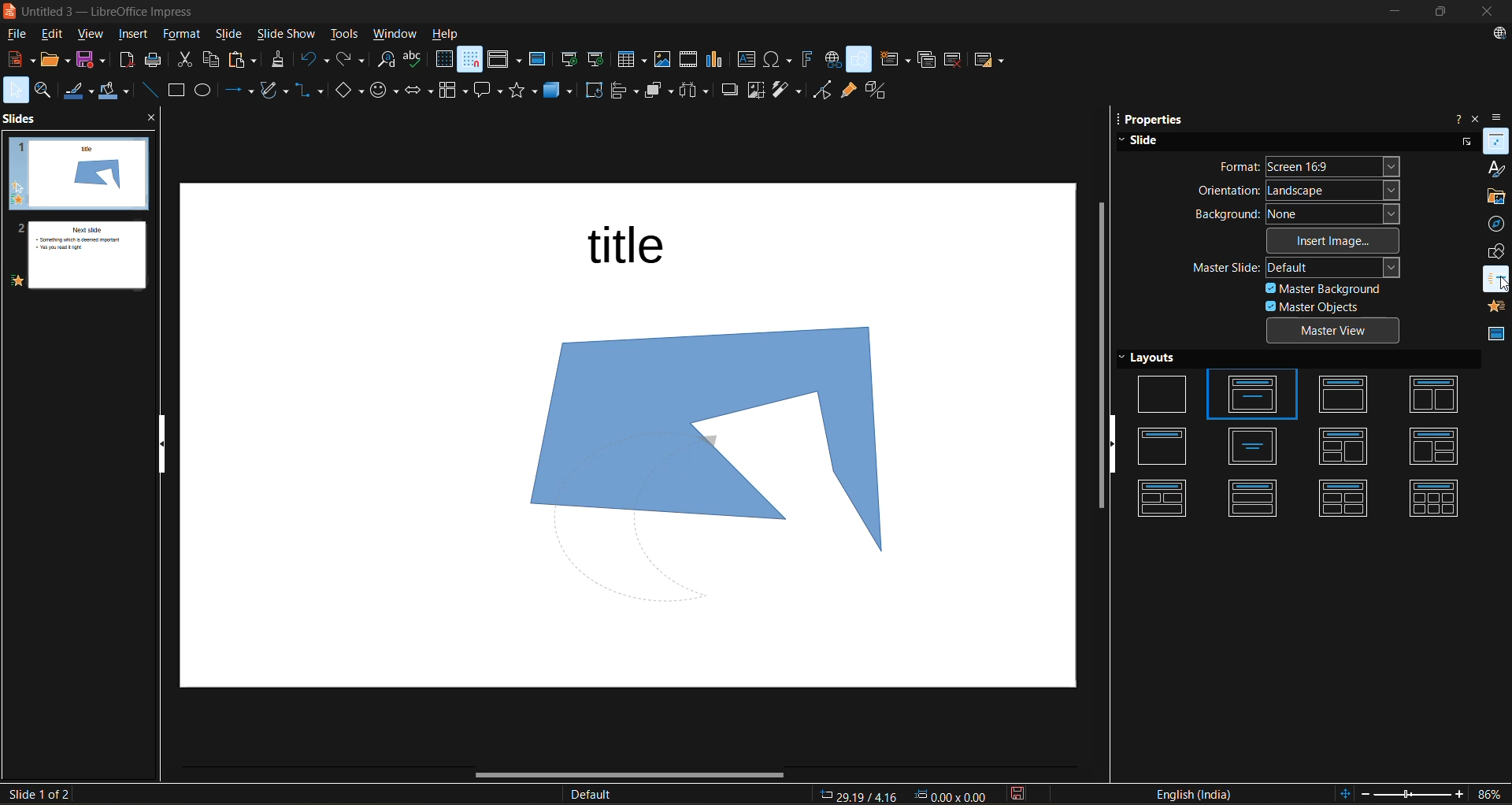 The width and height of the screenshot is (1512, 805). Describe the element at coordinates (598, 793) in the screenshot. I see `slide master name` at that location.